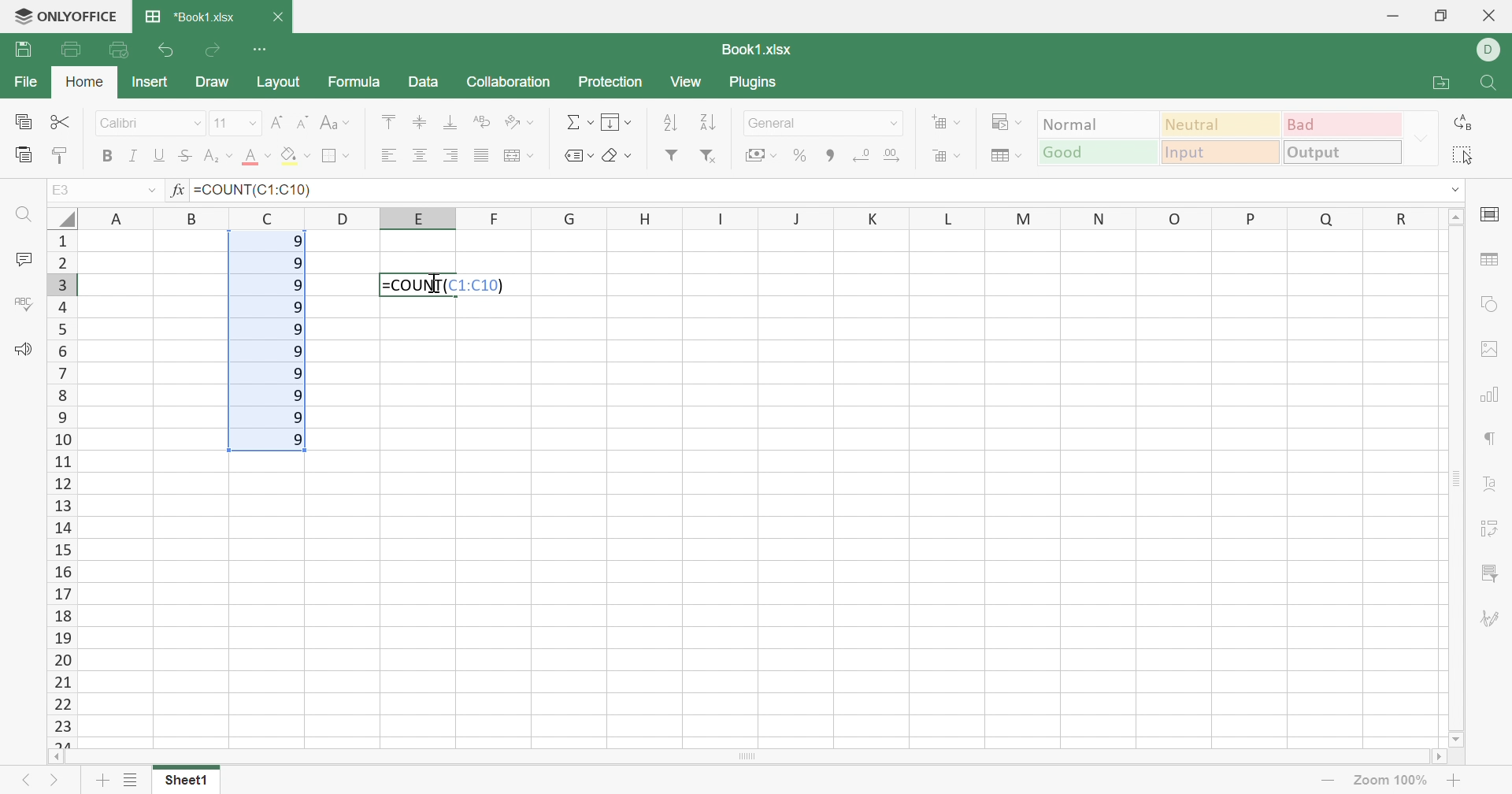 The image size is (1512, 794). What do you see at coordinates (69, 49) in the screenshot?
I see `Print` at bounding box center [69, 49].